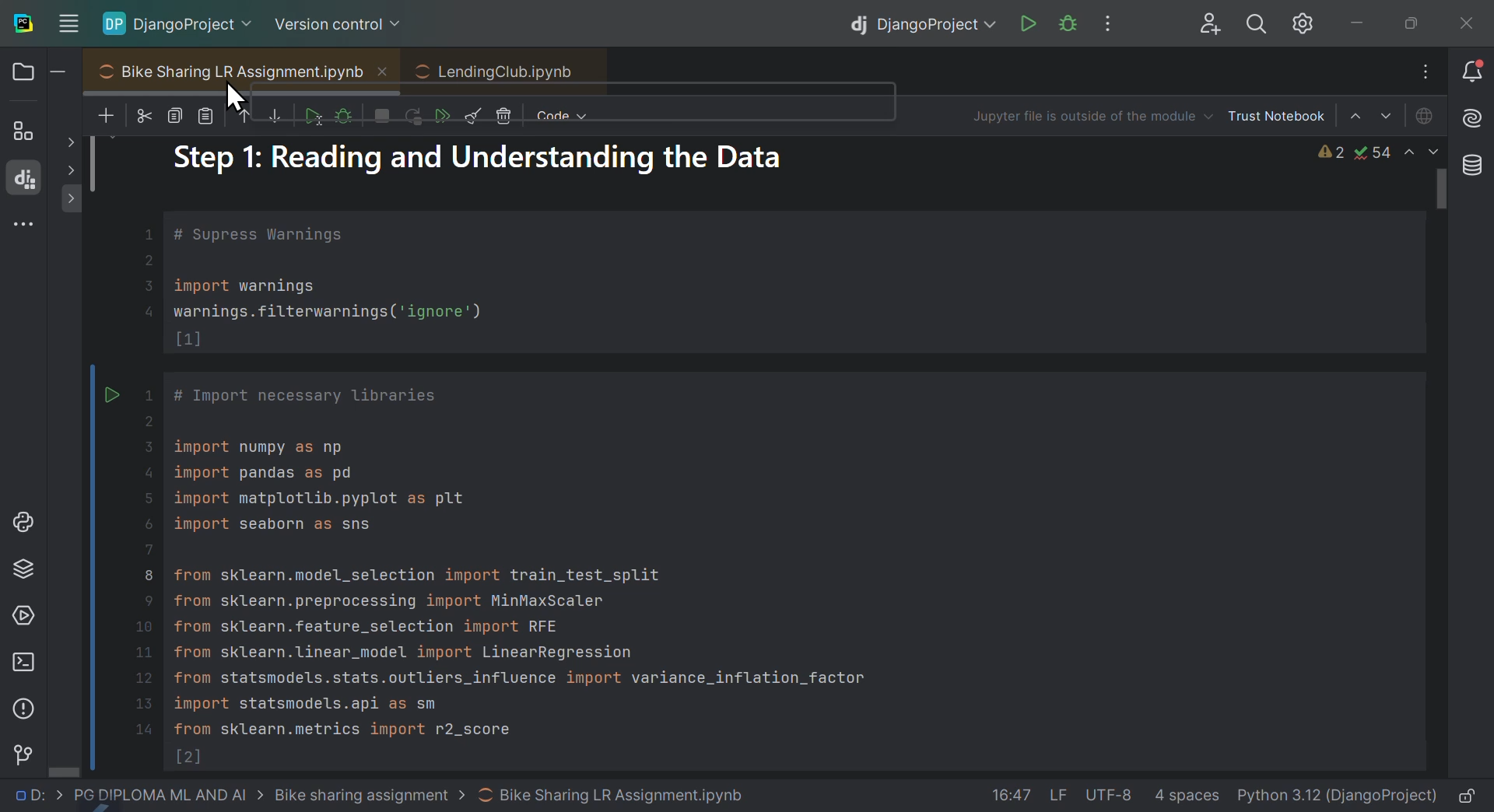  Describe the element at coordinates (1340, 796) in the screenshot. I see `interpreter` at that location.